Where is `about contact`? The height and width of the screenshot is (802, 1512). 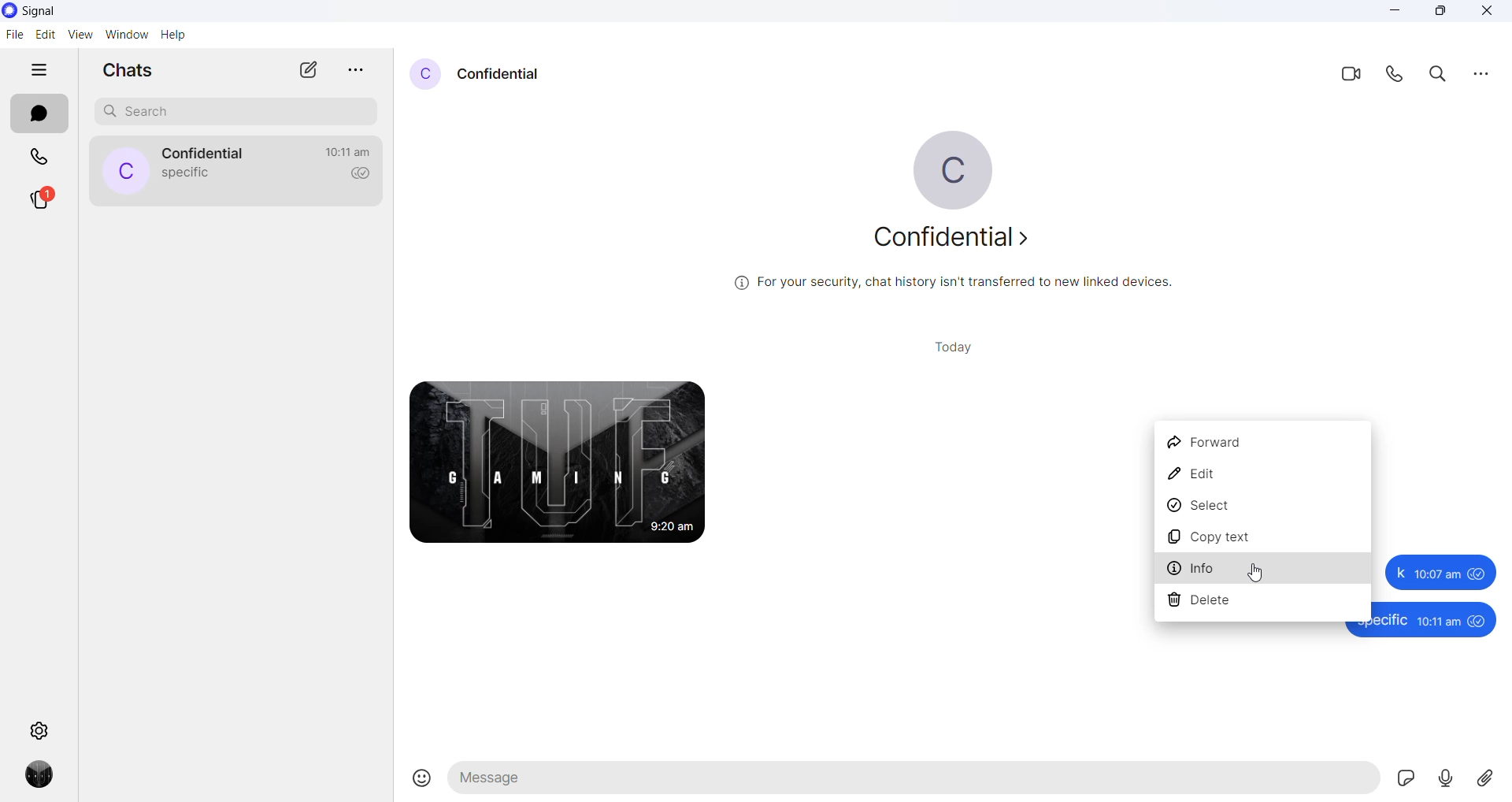 about contact is located at coordinates (949, 239).